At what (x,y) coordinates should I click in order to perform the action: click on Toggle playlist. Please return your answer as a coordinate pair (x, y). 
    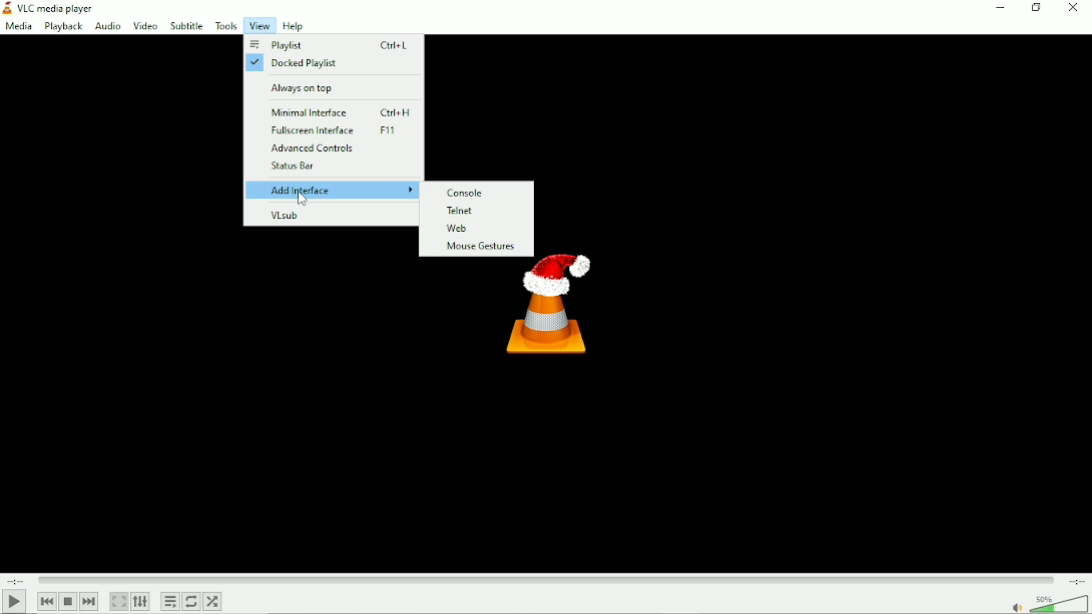
    Looking at the image, I should click on (169, 601).